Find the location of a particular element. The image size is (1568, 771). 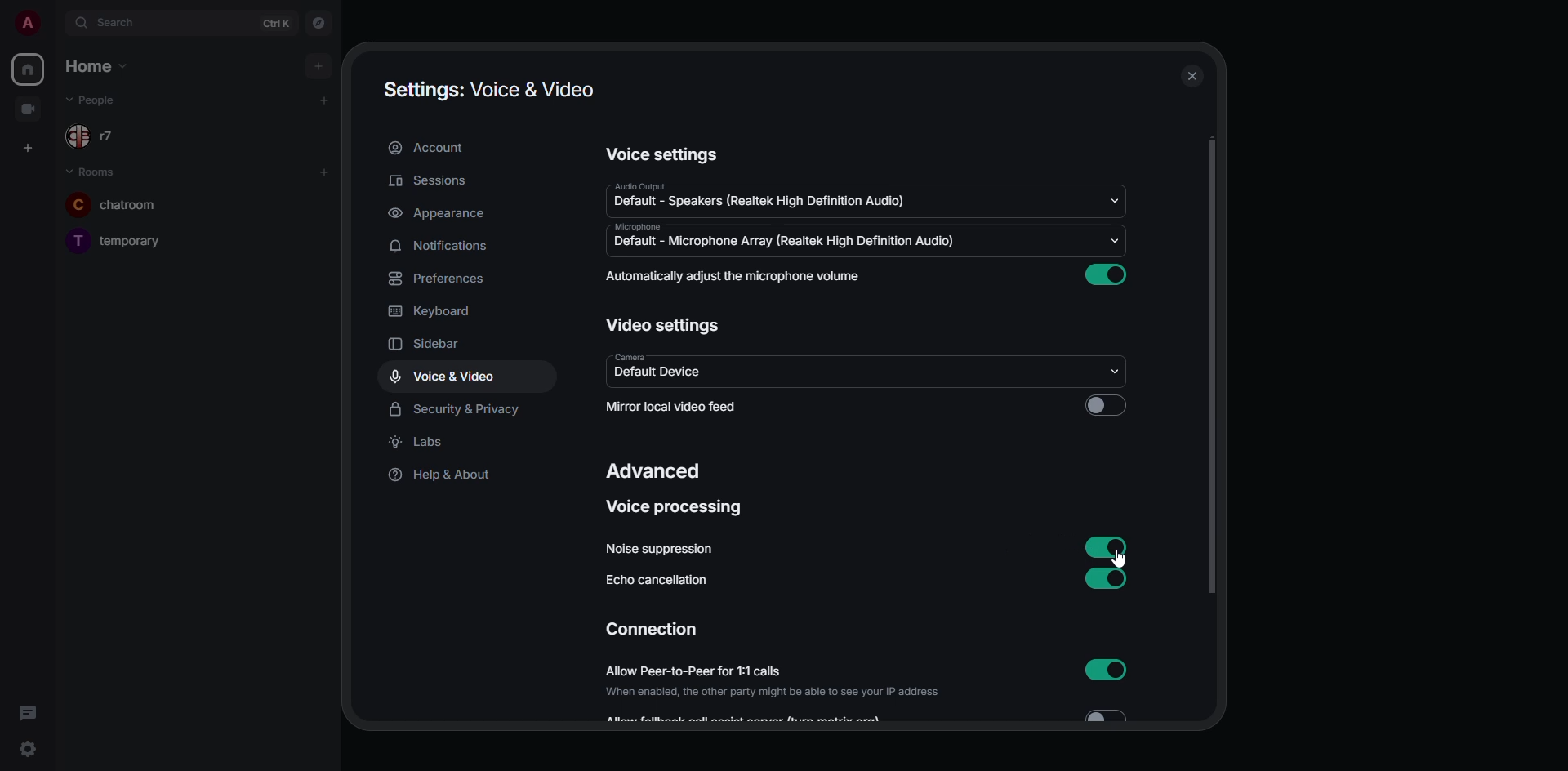

close is located at coordinates (1194, 77).